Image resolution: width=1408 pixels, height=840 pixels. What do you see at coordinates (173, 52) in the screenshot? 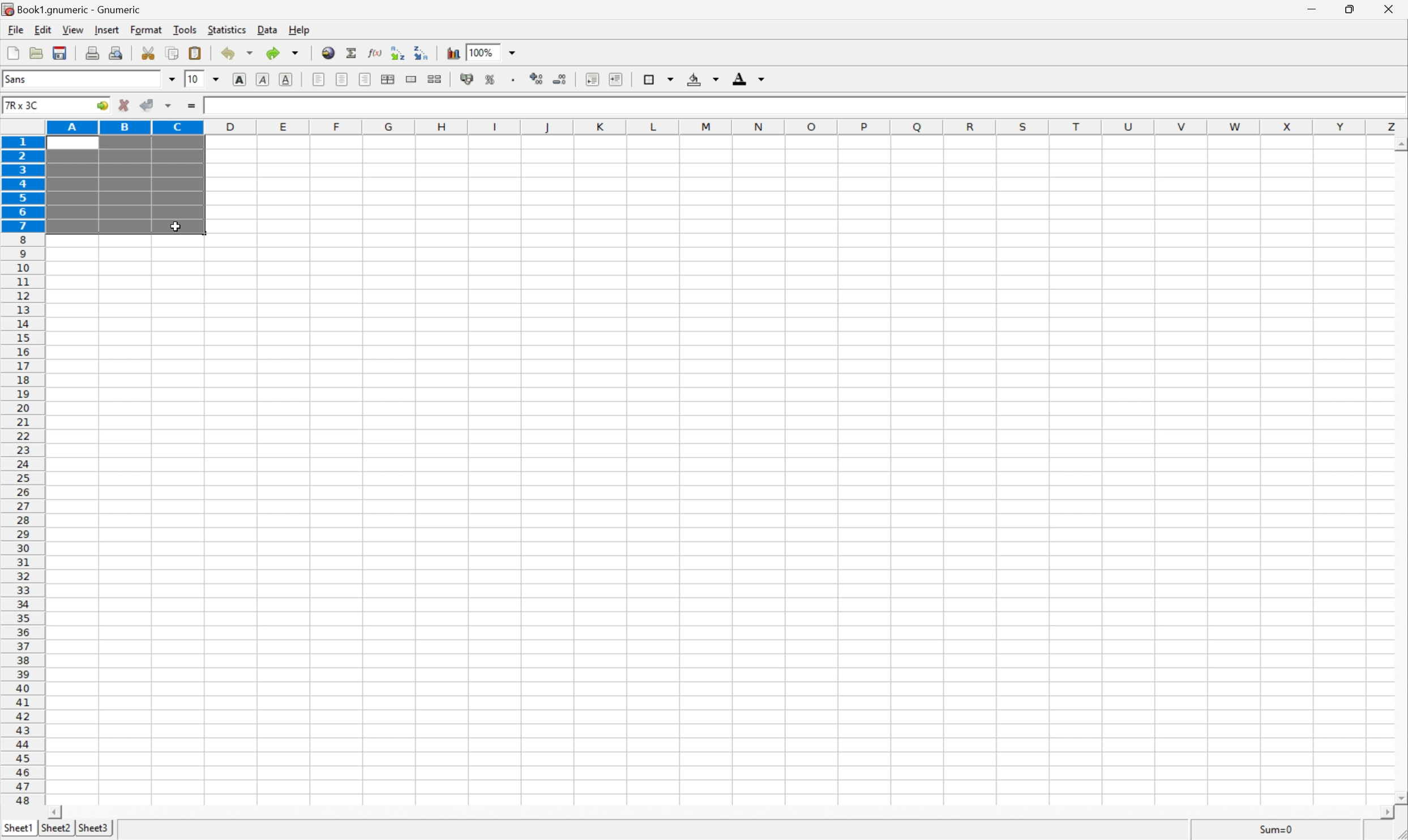
I see `copy` at bounding box center [173, 52].